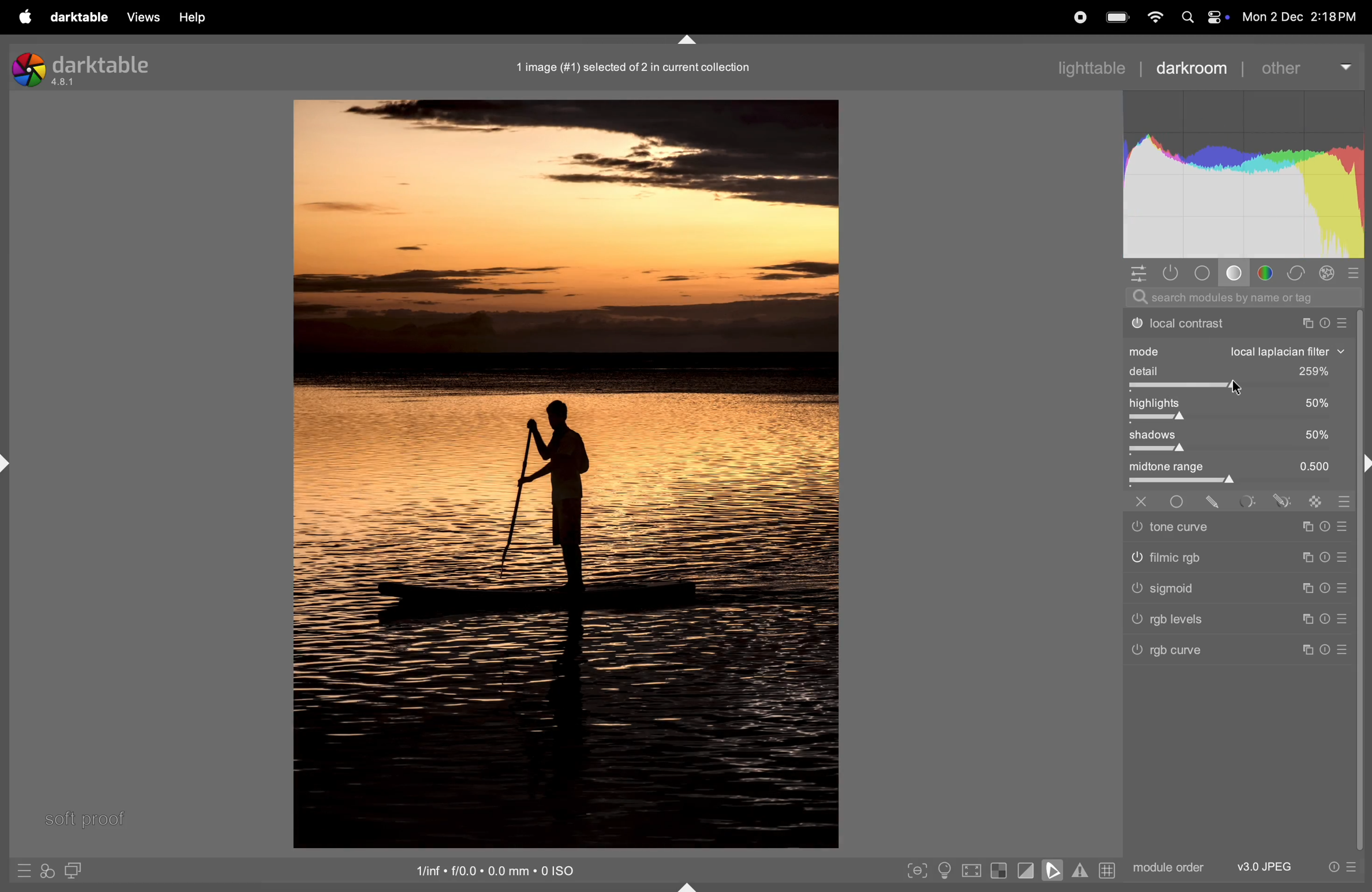 The width and height of the screenshot is (1372, 892). I want to click on effect, so click(1328, 273).